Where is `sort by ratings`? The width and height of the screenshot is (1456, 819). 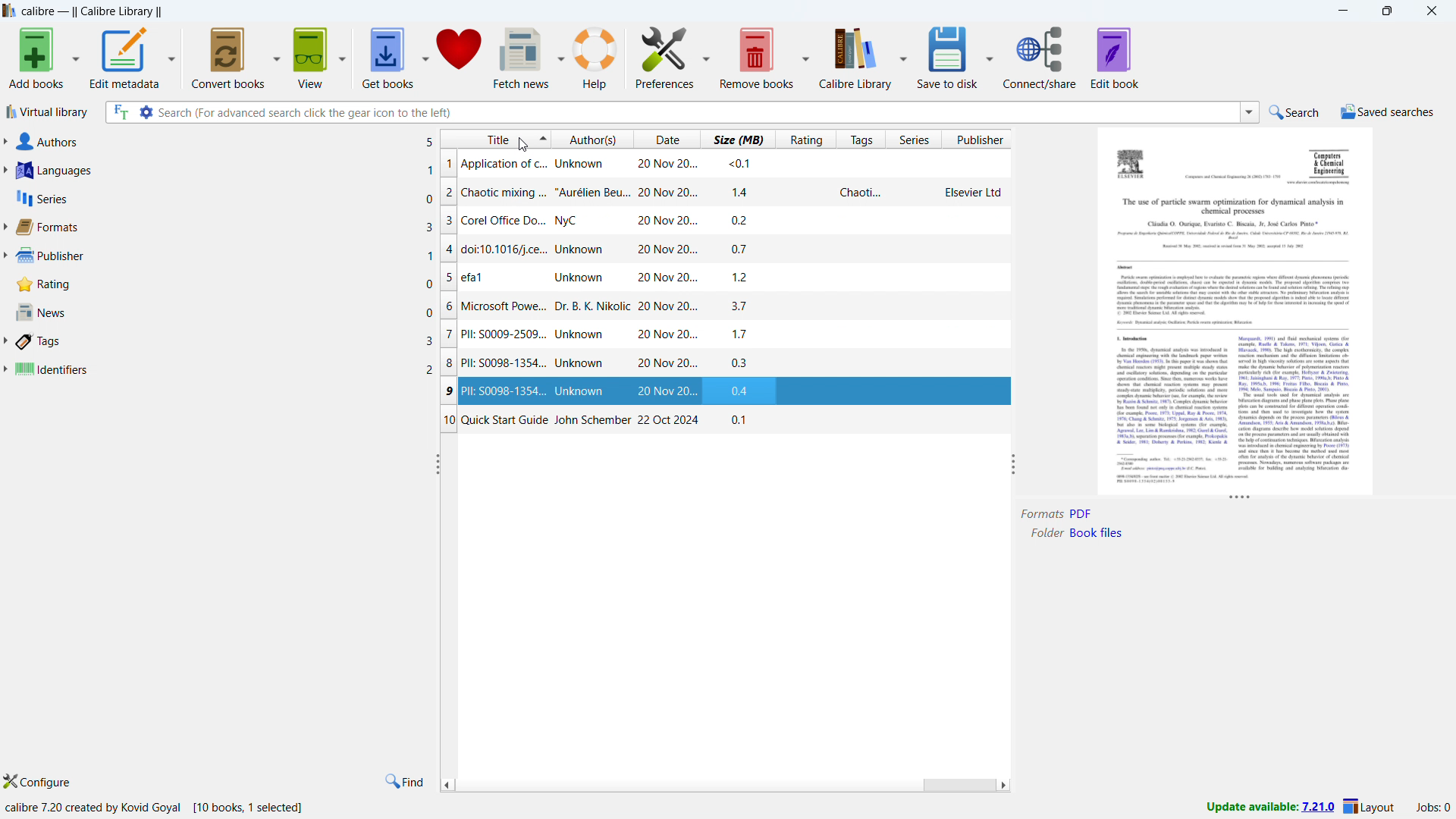
sort by ratings is located at coordinates (808, 140).